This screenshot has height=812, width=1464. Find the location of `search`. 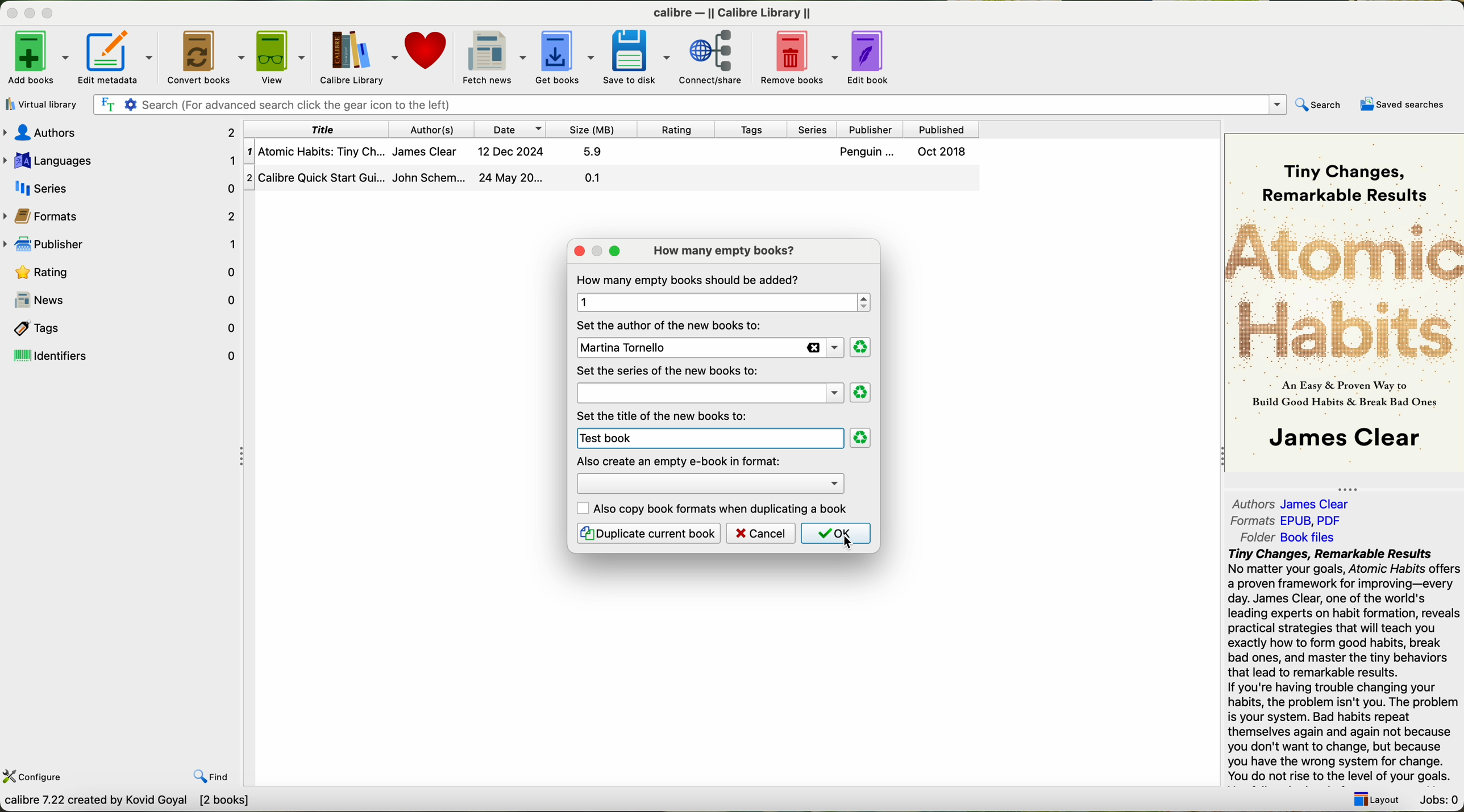

search is located at coordinates (1321, 103).